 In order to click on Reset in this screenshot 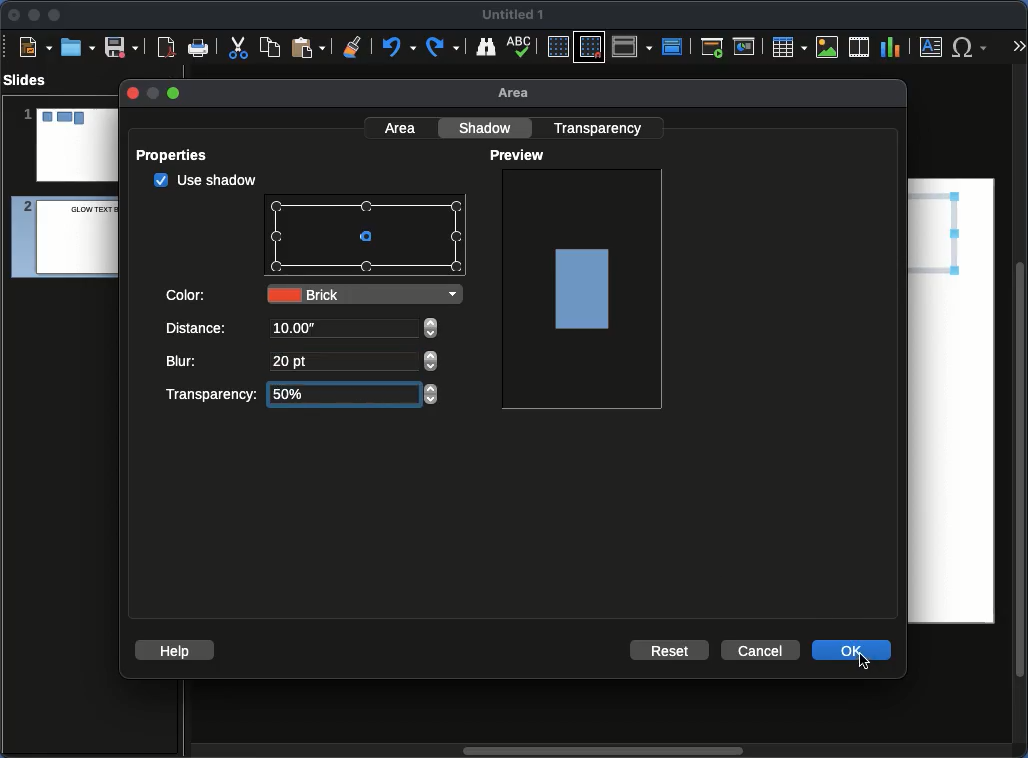, I will do `click(671, 649)`.